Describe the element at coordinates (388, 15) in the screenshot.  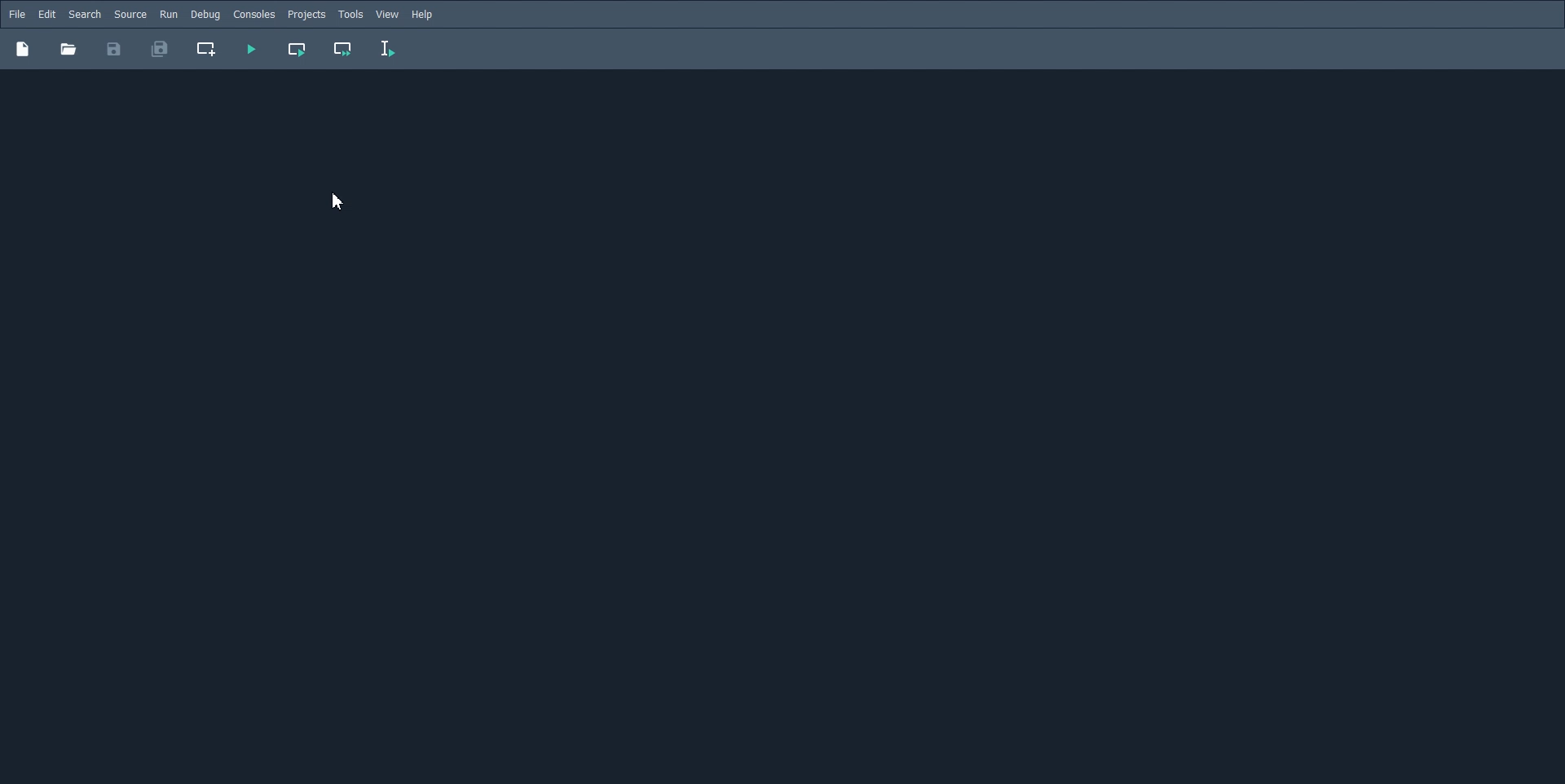
I see `view` at that location.